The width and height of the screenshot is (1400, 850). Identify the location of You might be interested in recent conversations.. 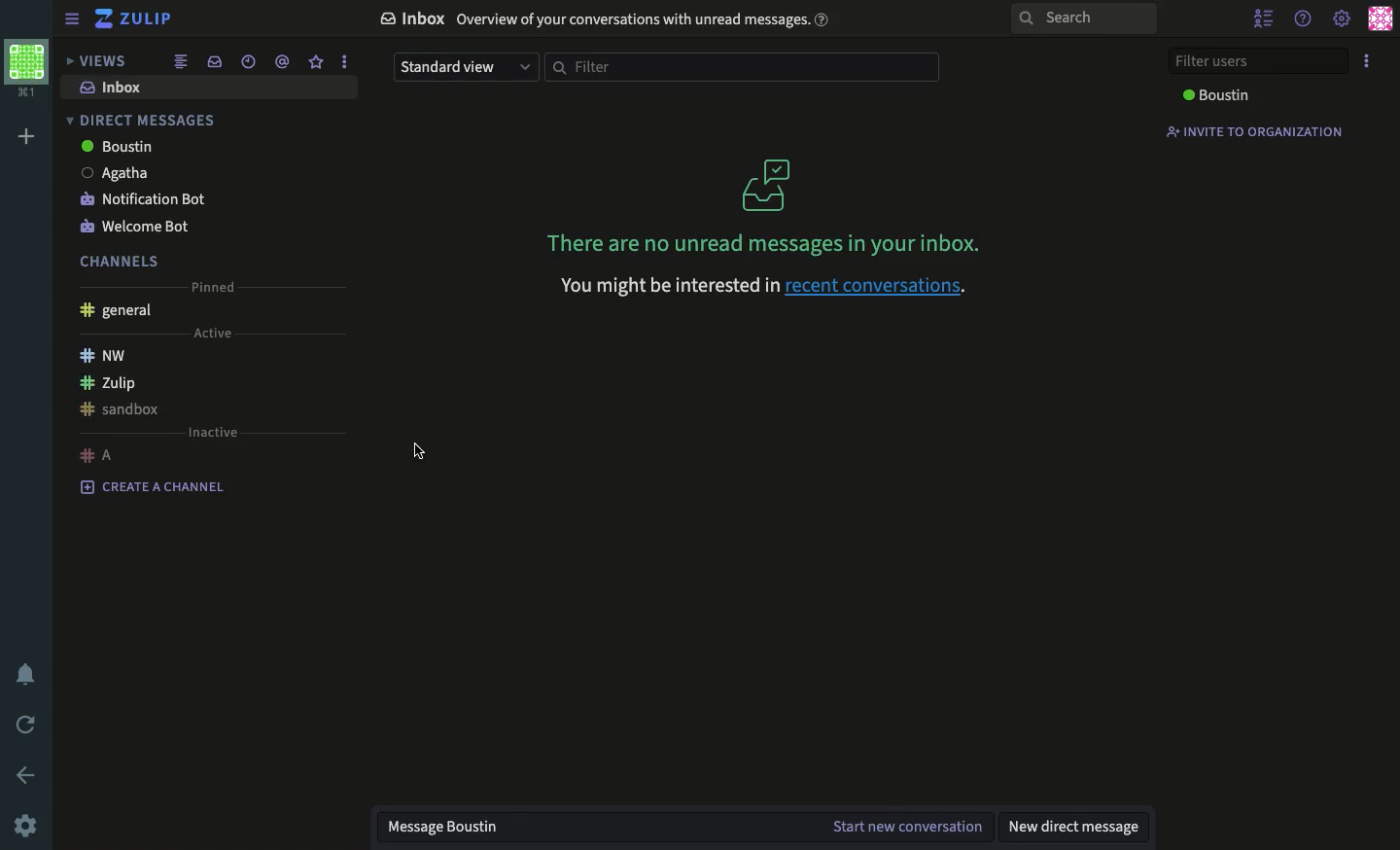
(767, 288).